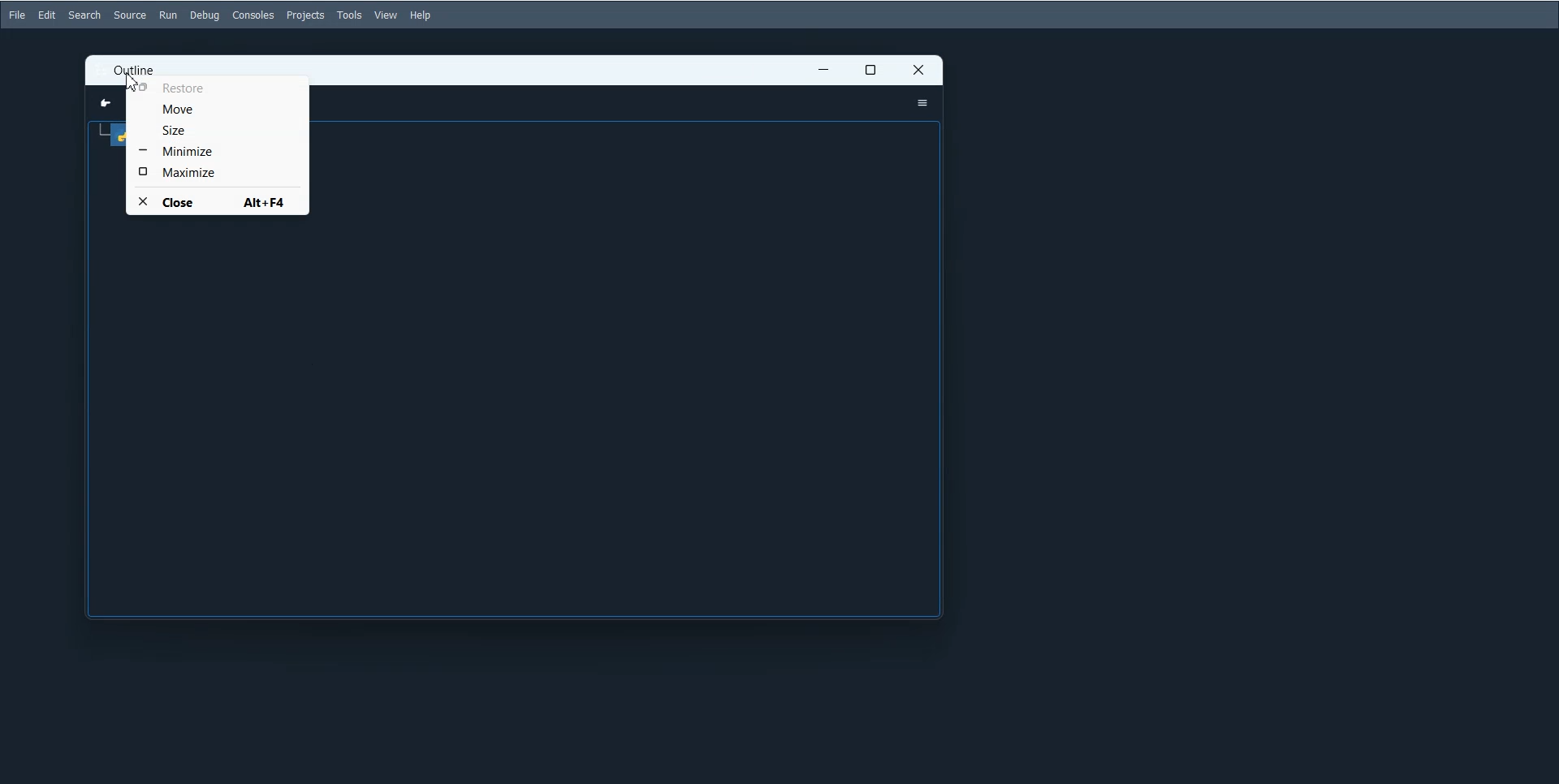 The width and height of the screenshot is (1559, 784). Describe the element at coordinates (135, 69) in the screenshot. I see `outline` at that location.